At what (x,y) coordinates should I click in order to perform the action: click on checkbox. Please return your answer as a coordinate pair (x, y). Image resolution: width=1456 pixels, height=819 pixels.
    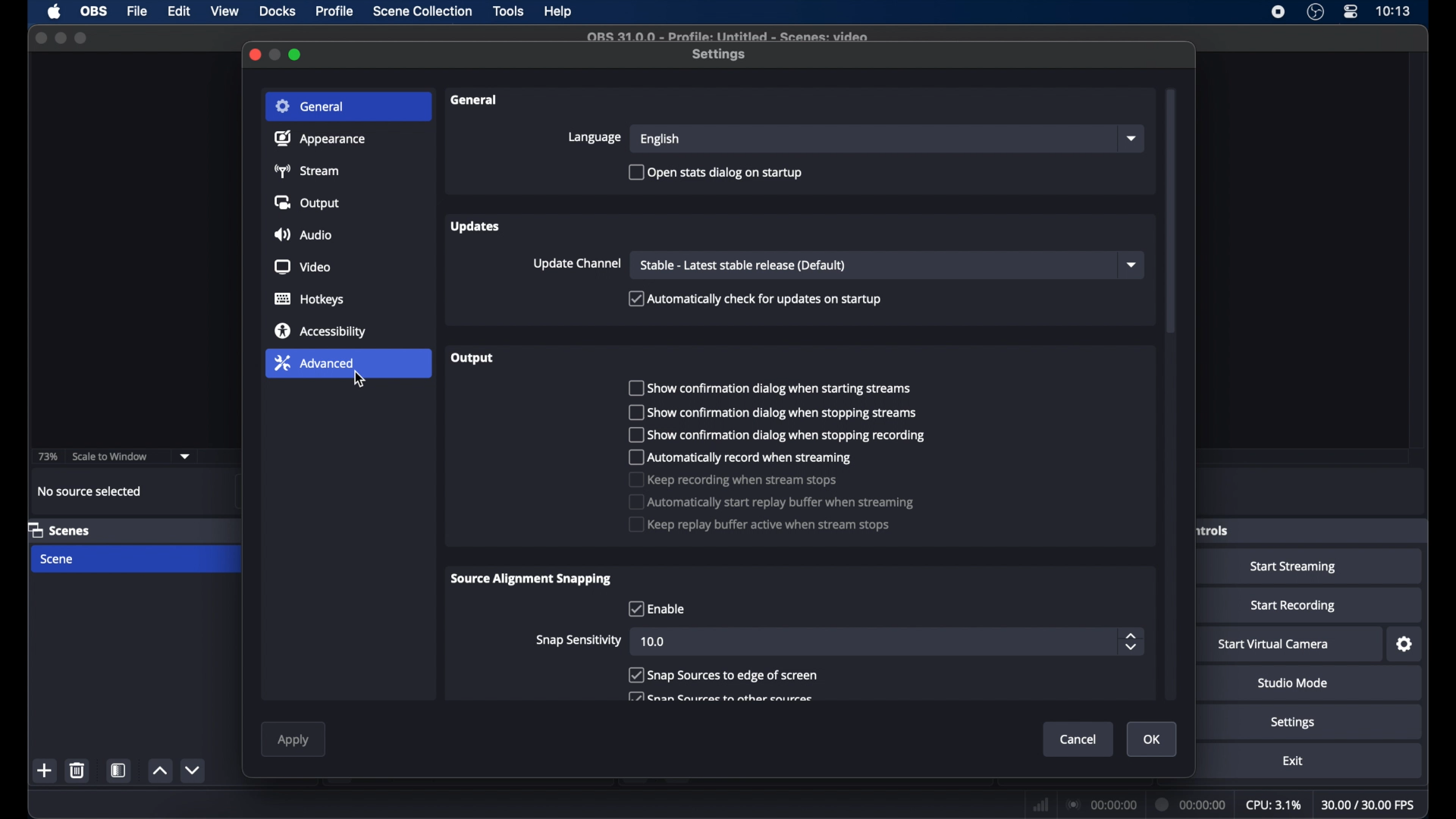
    Looking at the image, I should click on (770, 413).